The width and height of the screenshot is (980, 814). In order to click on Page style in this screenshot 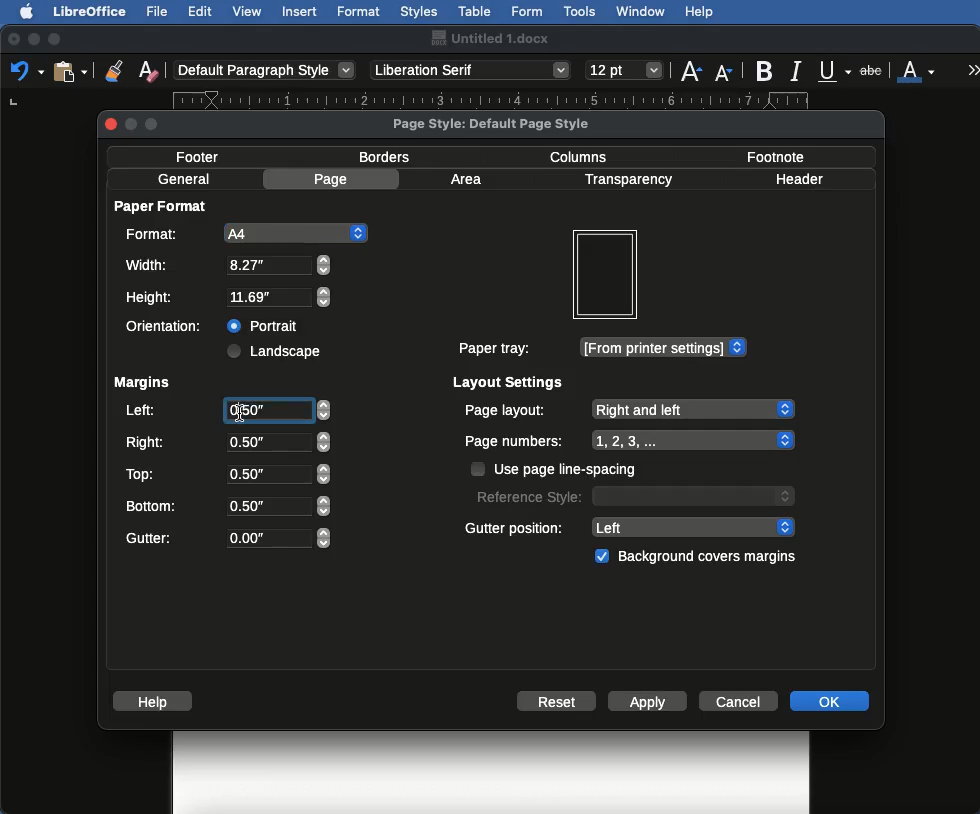, I will do `click(508, 124)`.